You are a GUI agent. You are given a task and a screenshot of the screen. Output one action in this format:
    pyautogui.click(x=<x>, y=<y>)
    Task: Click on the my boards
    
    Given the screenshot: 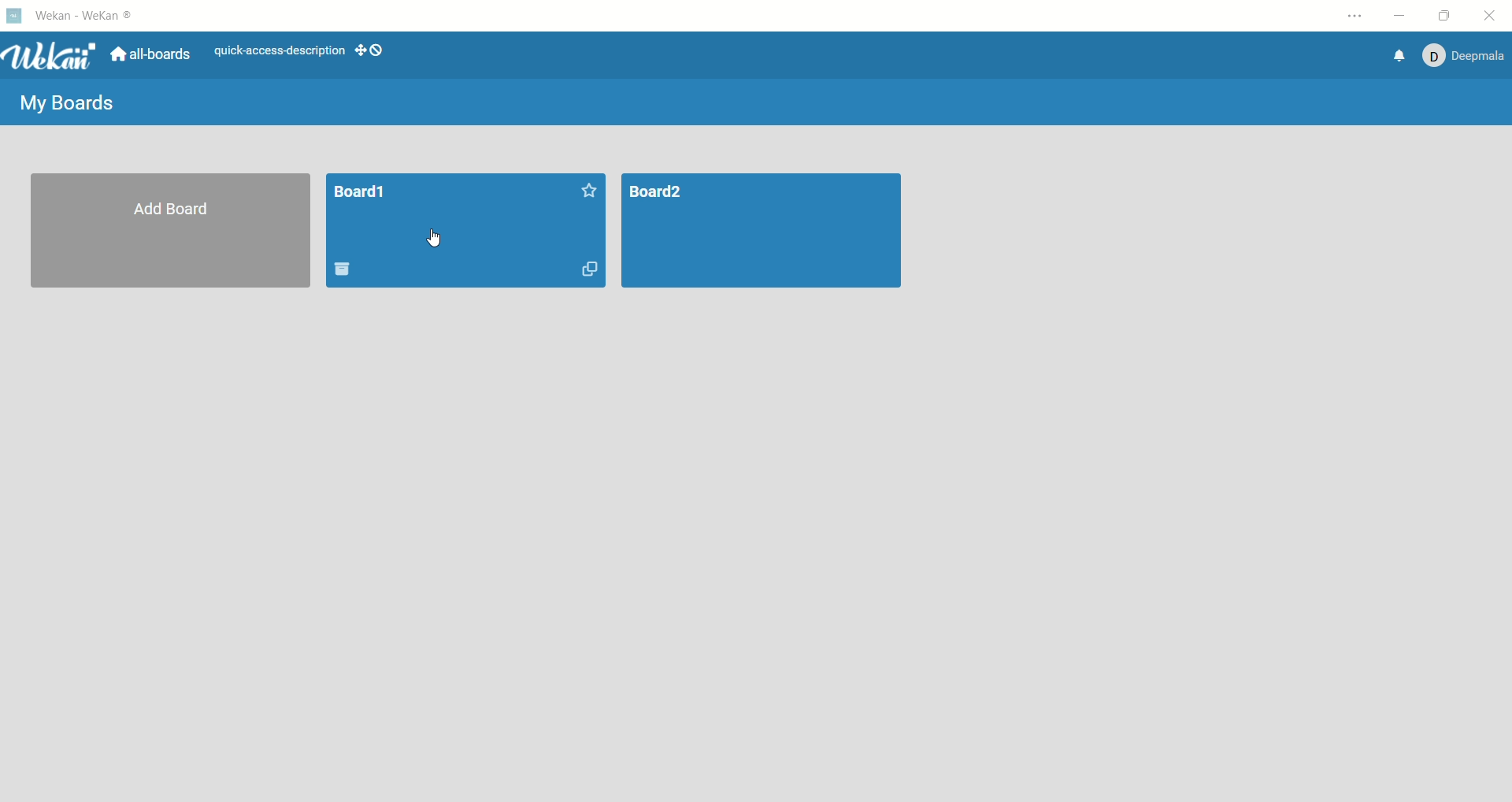 What is the action you would take?
    pyautogui.click(x=68, y=103)
    